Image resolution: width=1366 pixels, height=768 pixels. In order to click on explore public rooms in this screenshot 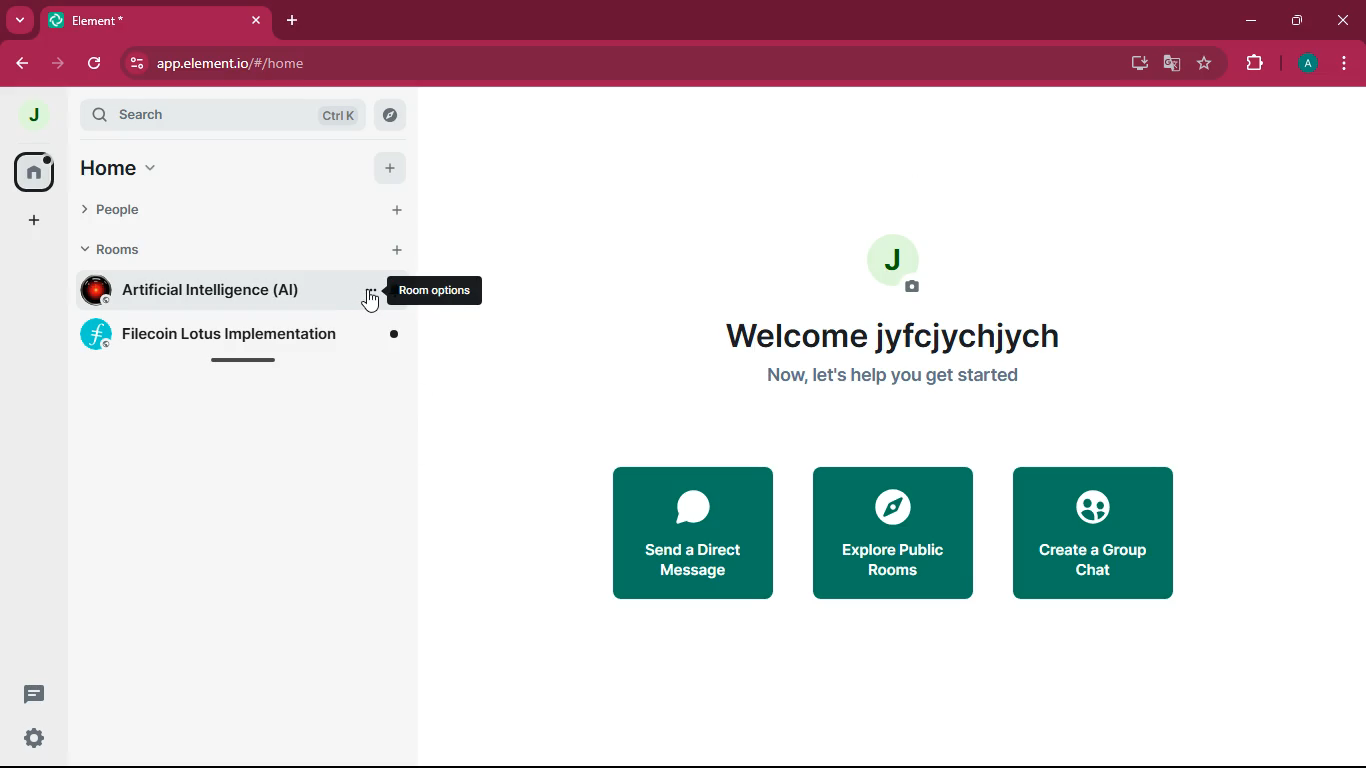, I will do `click(890, 531)`.